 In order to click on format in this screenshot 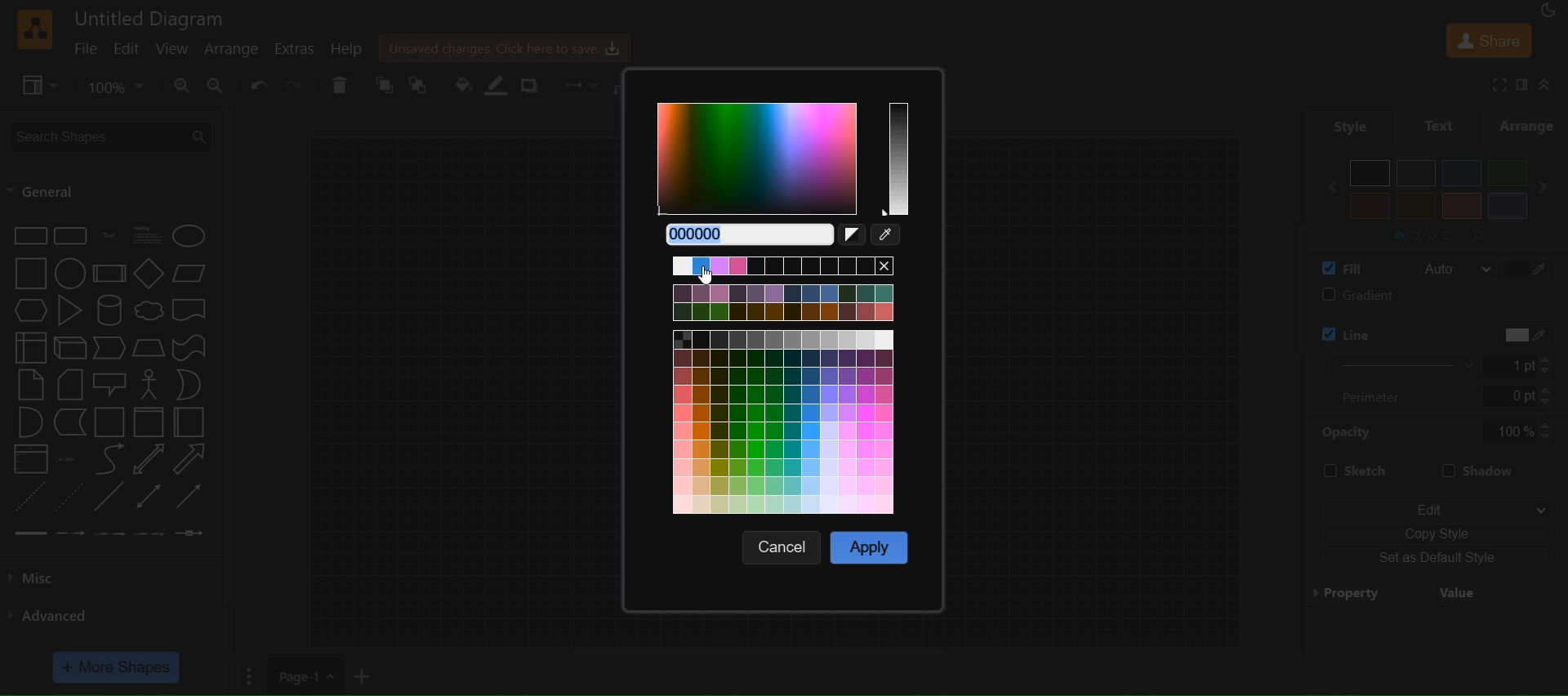, I will do `click(1524, 85)`.